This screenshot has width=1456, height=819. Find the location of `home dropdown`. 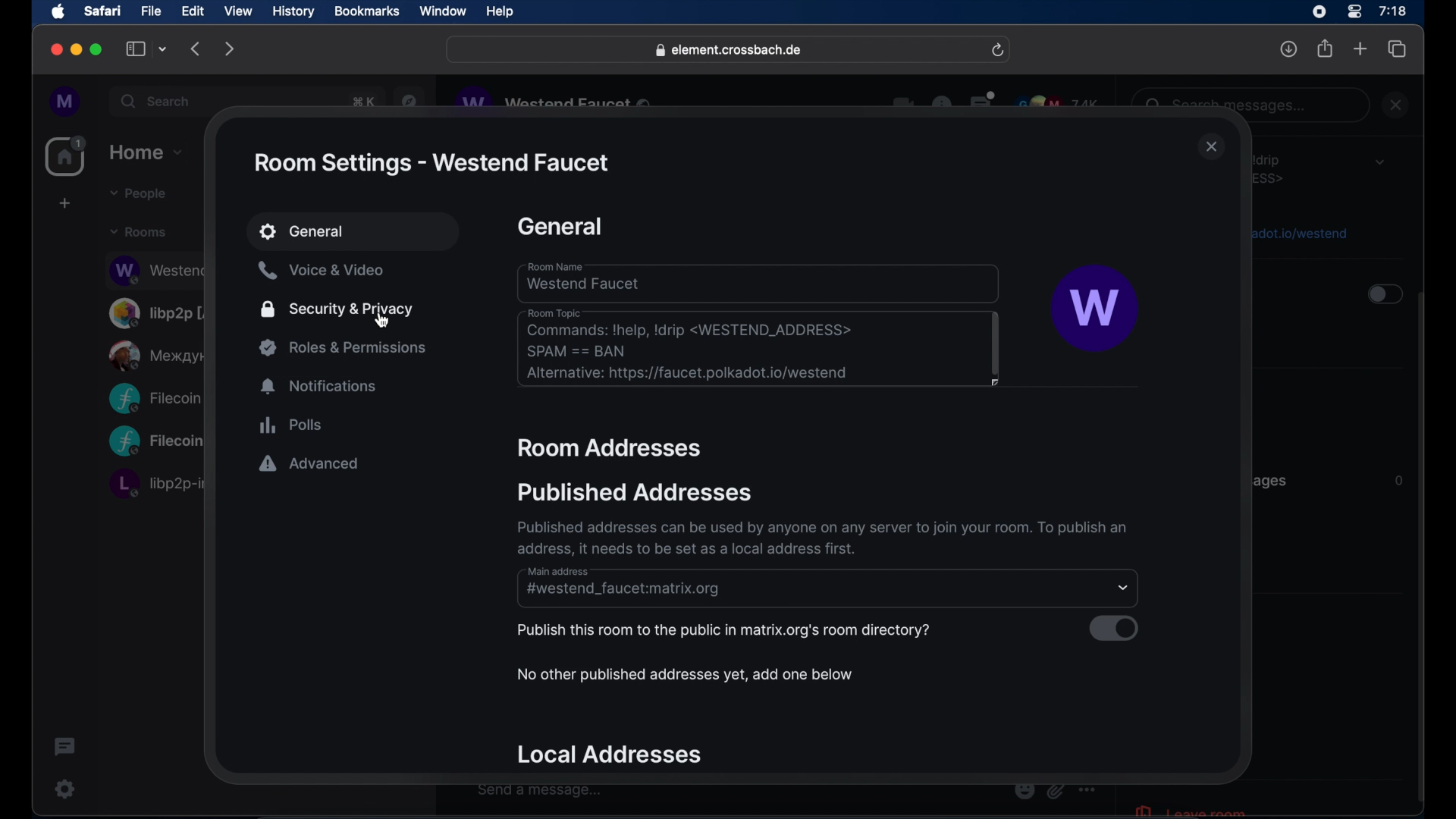

home dropdown is located at coordinates (146, 152).